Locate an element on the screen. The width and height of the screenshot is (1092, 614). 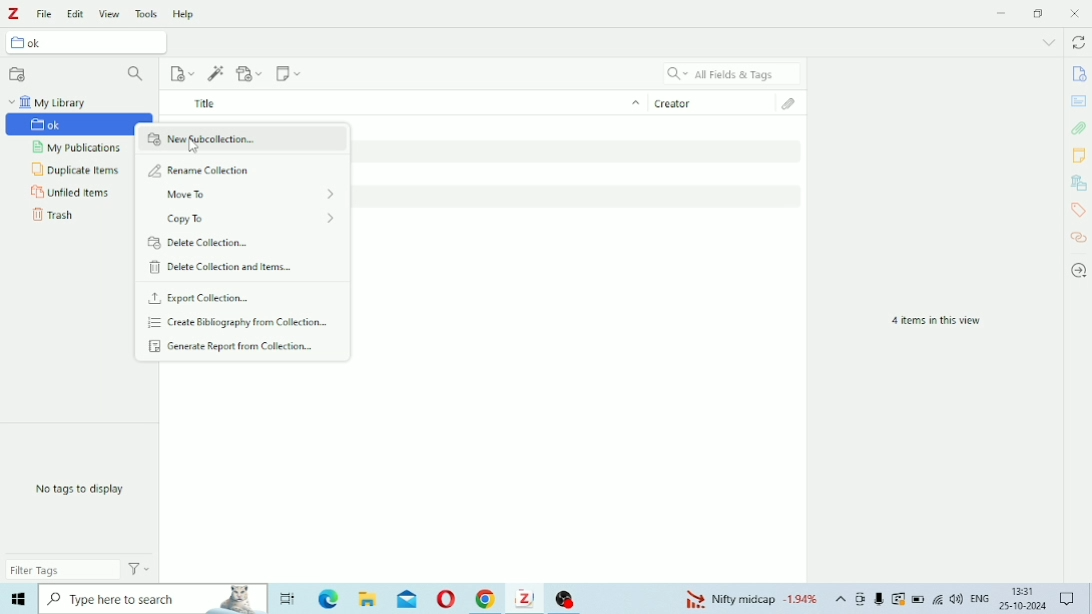
Opera Mini is located at coordinates (446, 599).